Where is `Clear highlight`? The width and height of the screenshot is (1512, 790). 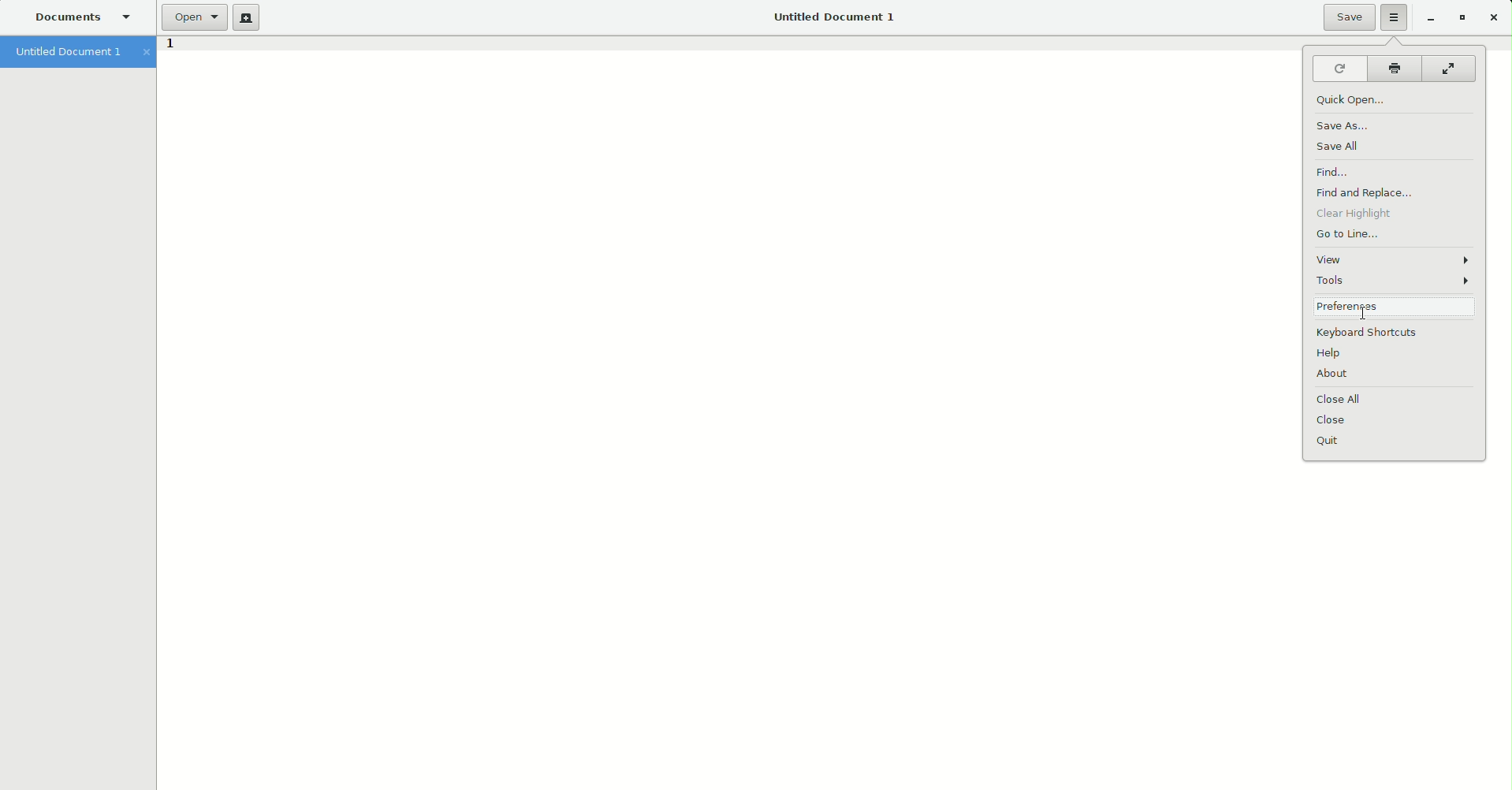
Clear highlight is located at coordinates (1355, 214).